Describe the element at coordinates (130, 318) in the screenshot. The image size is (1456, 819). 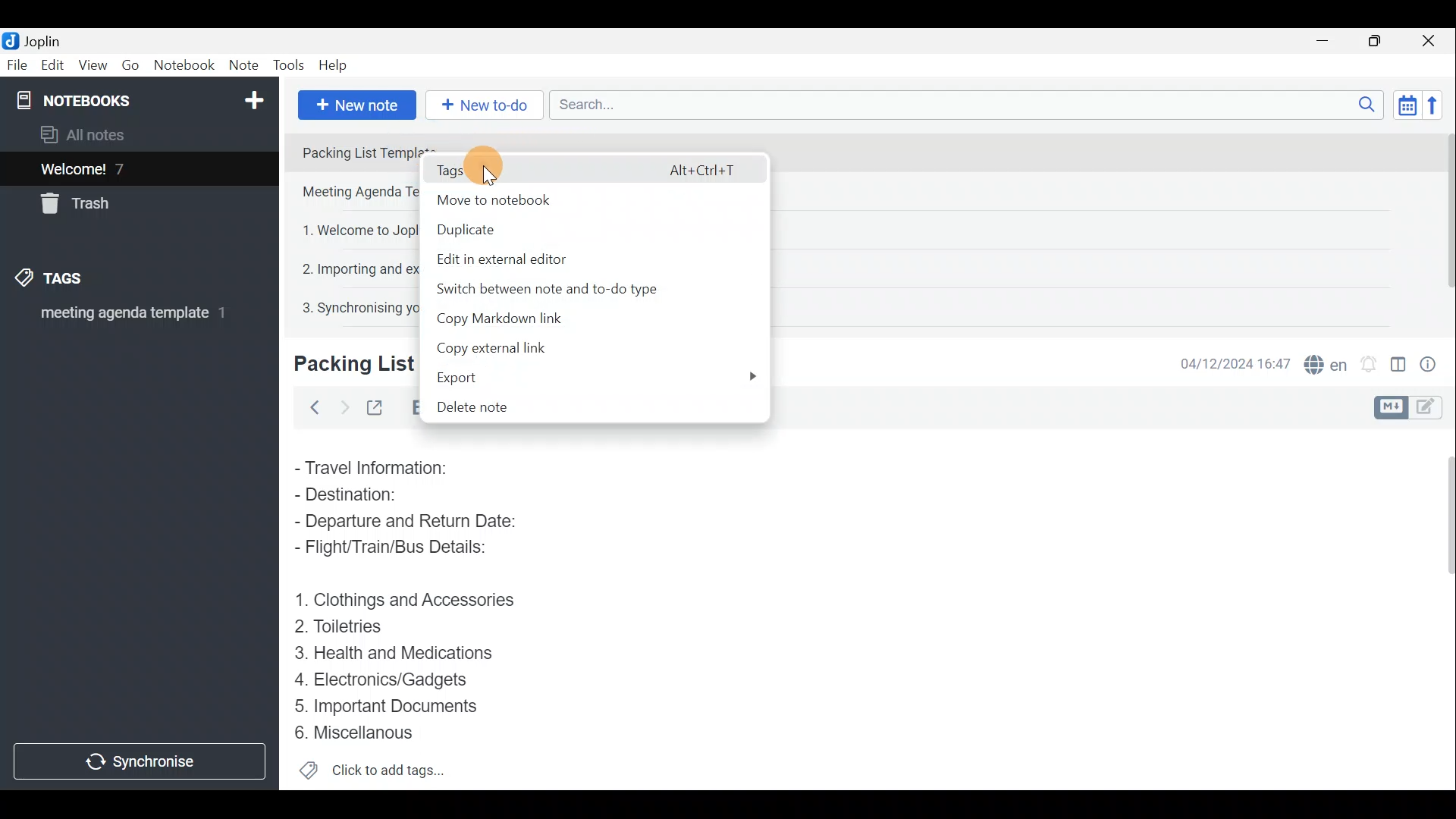
I see `meeting agenda template` at that location.